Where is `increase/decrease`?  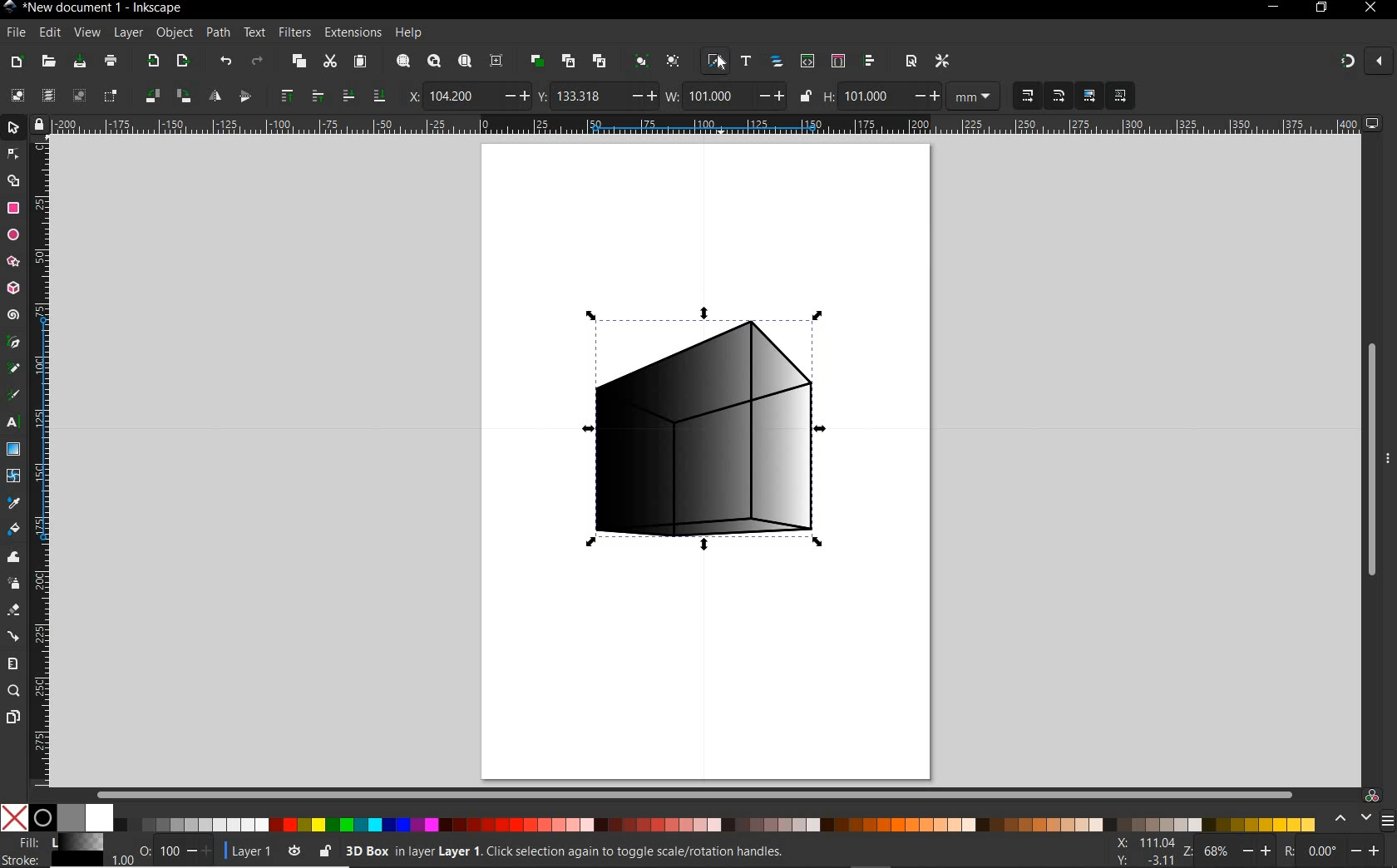
increase/decrease is located at coordinates (642, 96).